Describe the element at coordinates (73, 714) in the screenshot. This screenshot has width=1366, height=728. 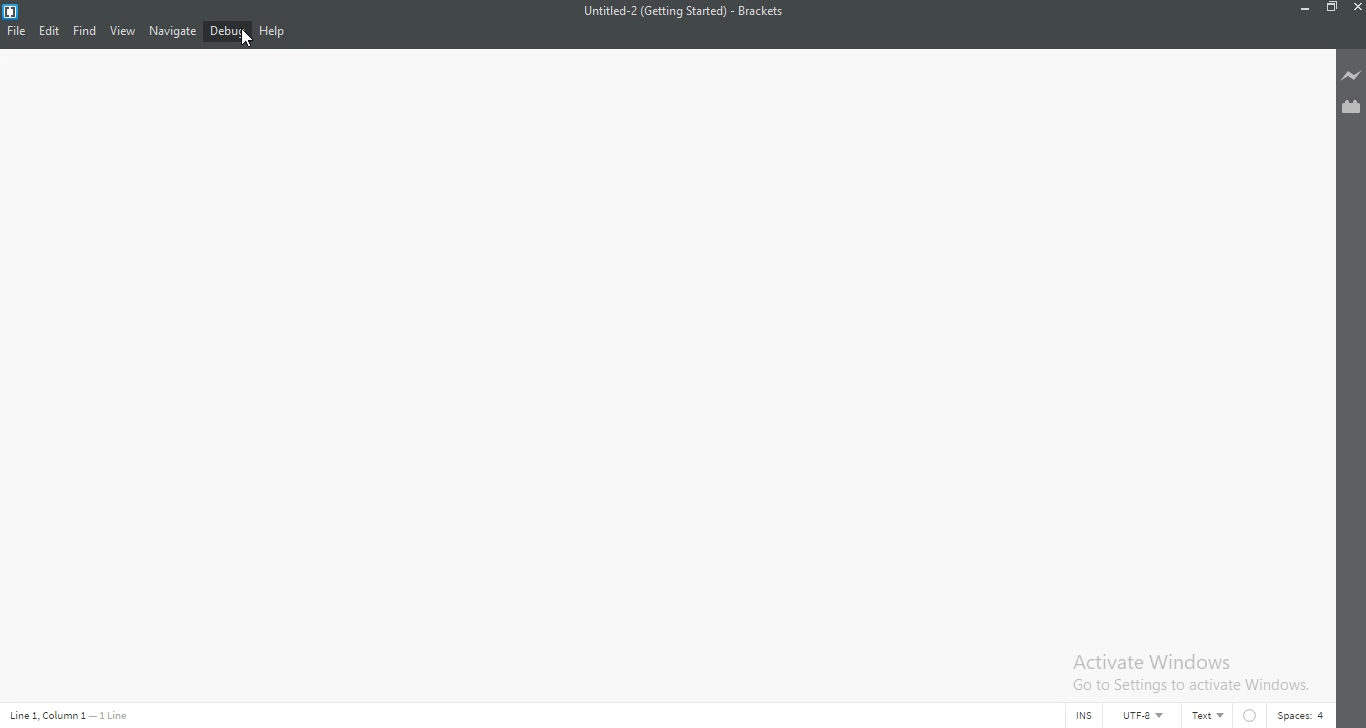
I see `Line 1, Column 1 - 1 Line` at that location.